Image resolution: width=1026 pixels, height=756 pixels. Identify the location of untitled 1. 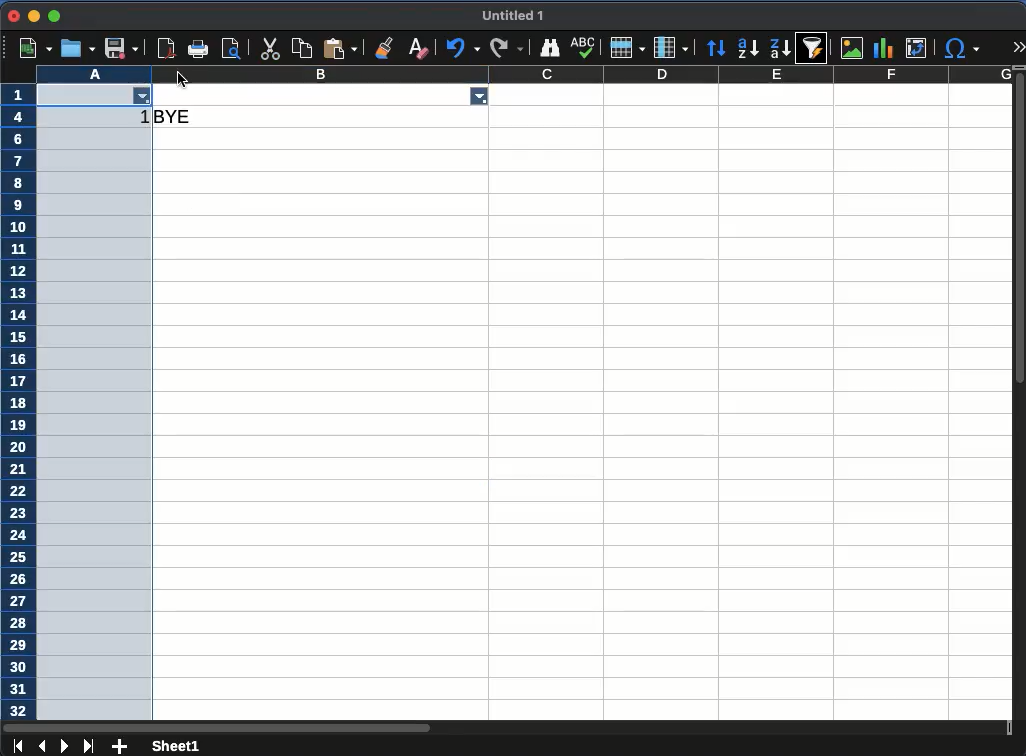
(514, 15).